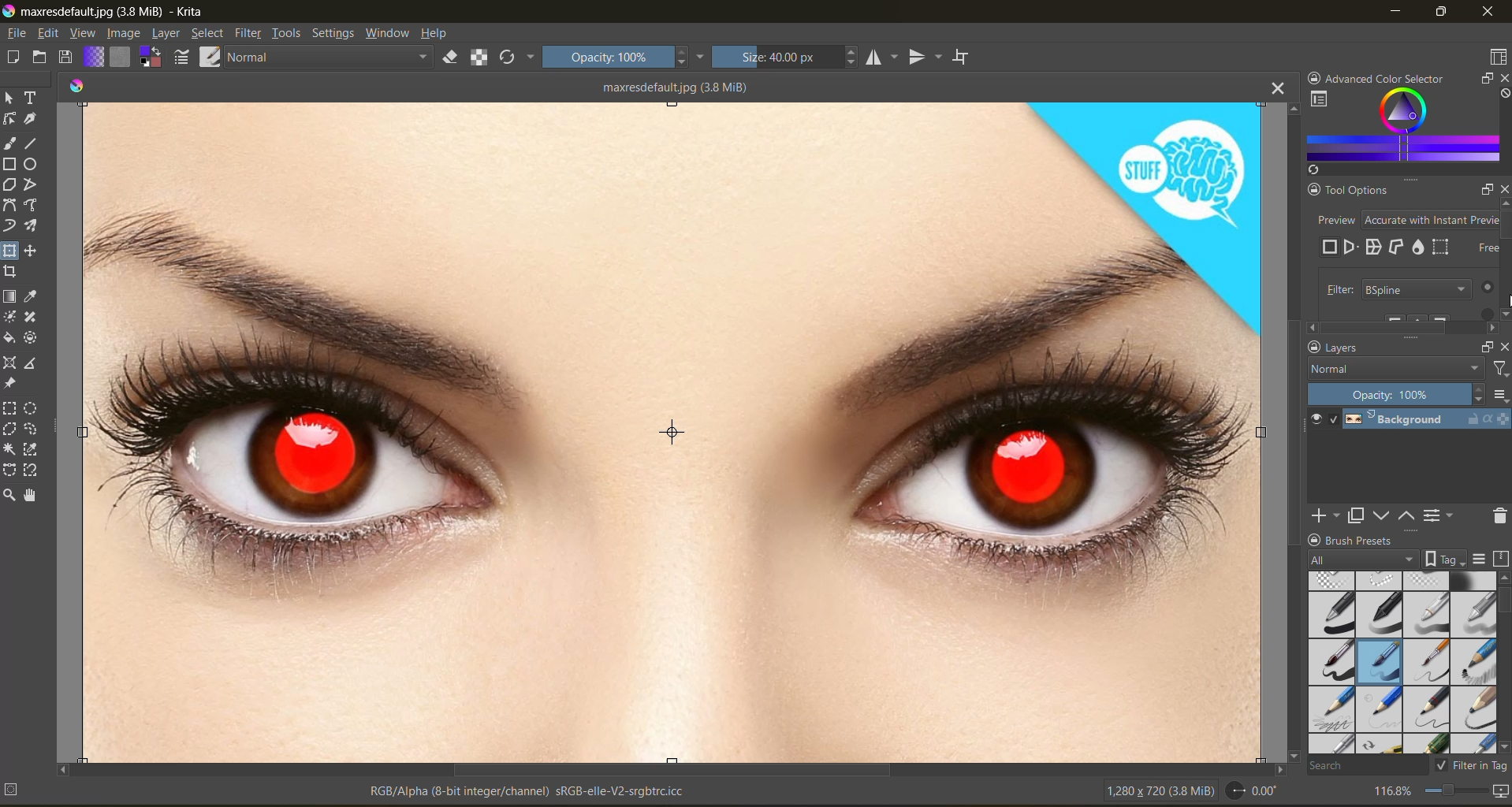 The height and width of the screenshot is (807, 1512). Describe the element at coordinates (1400, 326) in the screenshot. I see `scrollbar` at that location.